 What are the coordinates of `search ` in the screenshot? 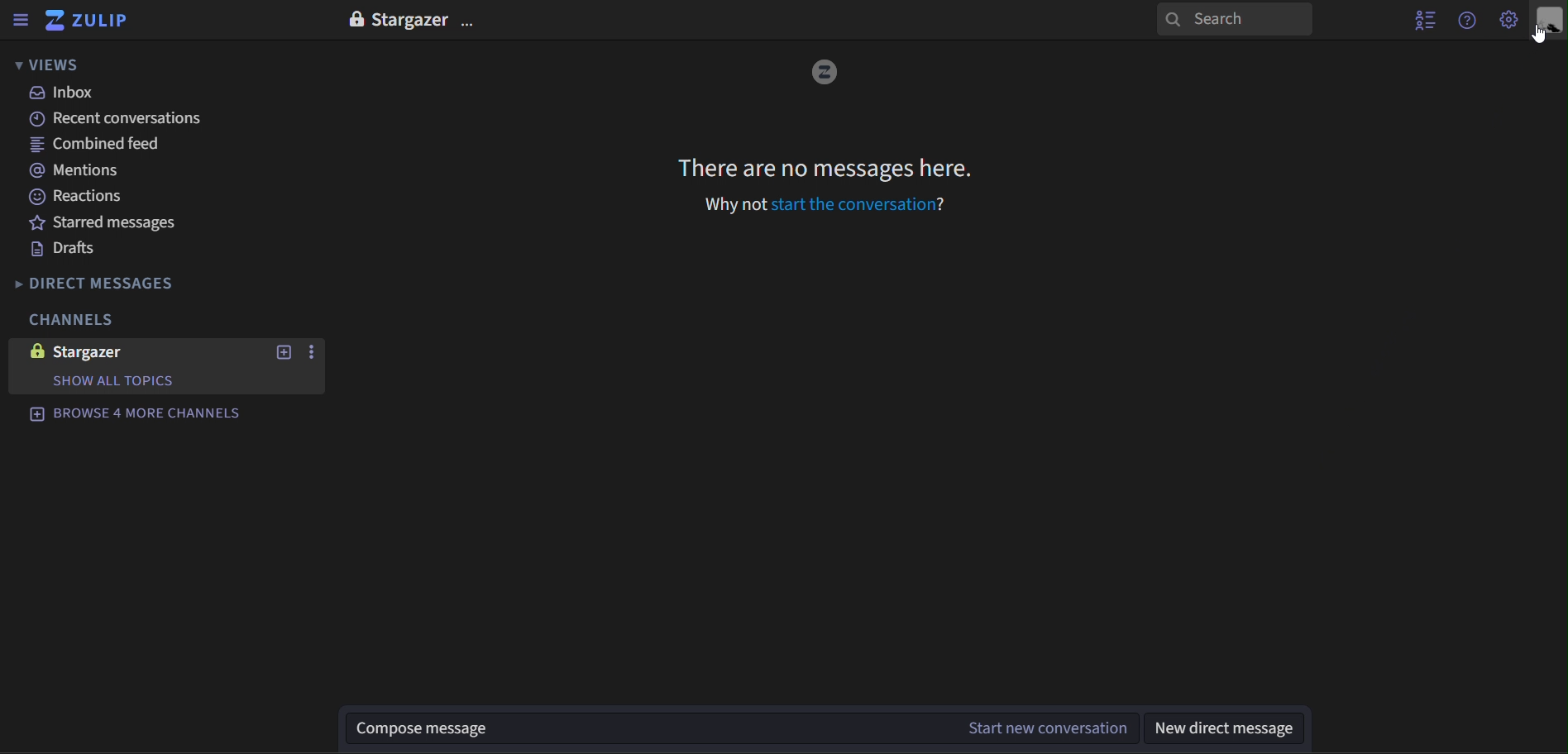 It's located at (1233, 20).